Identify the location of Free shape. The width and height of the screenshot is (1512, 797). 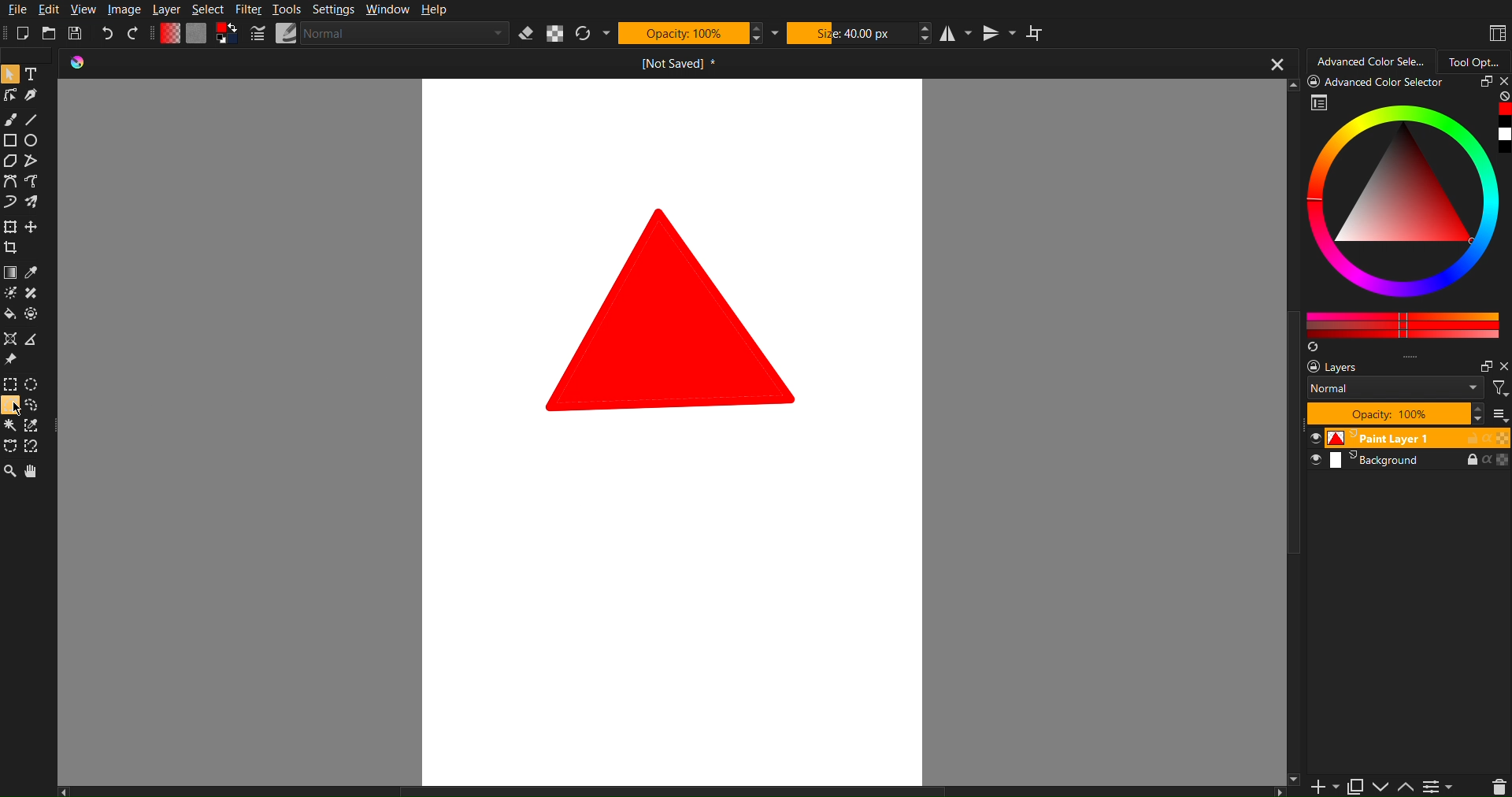
(30, 161).